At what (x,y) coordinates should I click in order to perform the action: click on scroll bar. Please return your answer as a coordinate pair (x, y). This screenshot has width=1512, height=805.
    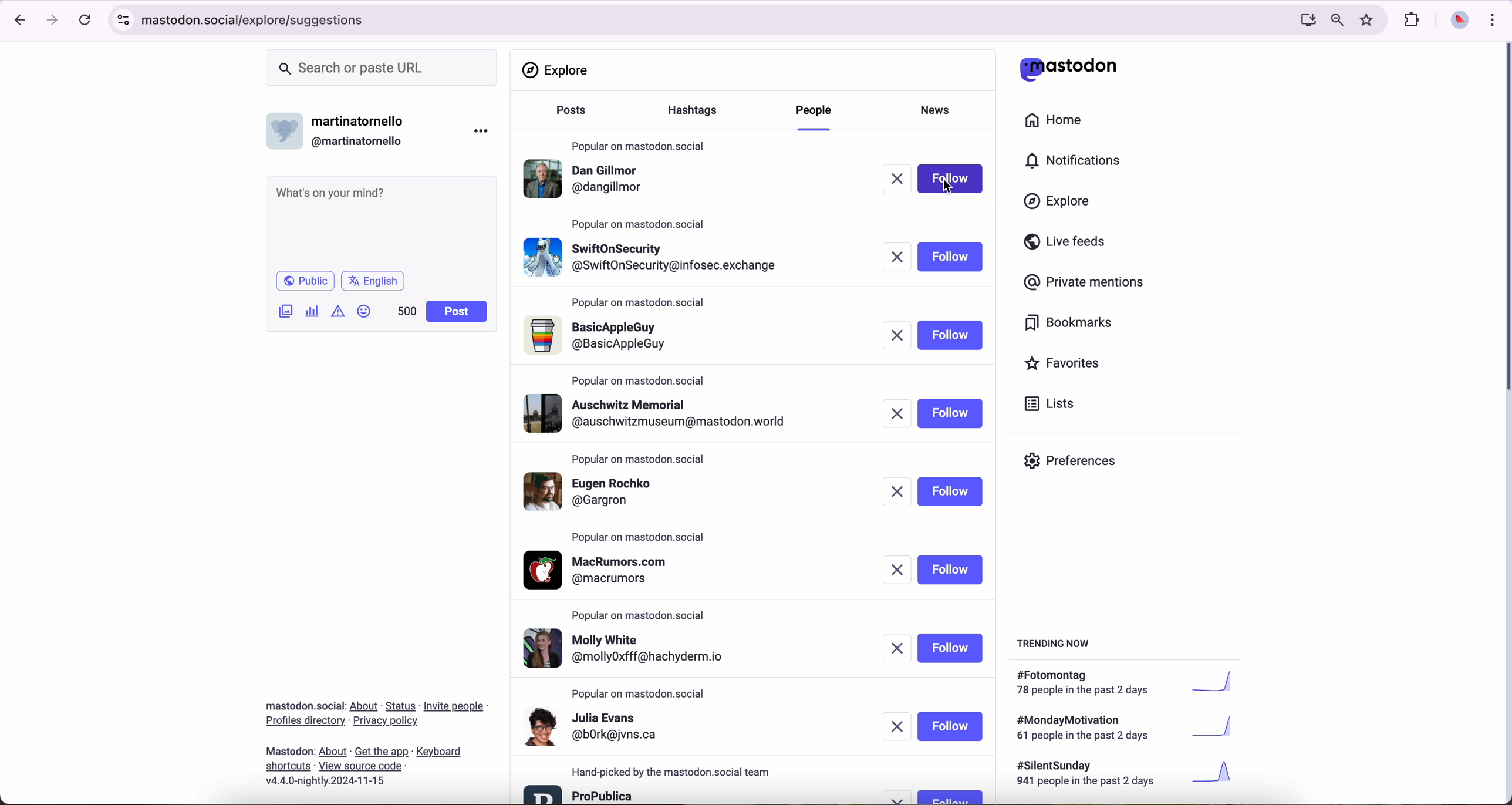
    Looking at the image, I should click on (1503, 220).